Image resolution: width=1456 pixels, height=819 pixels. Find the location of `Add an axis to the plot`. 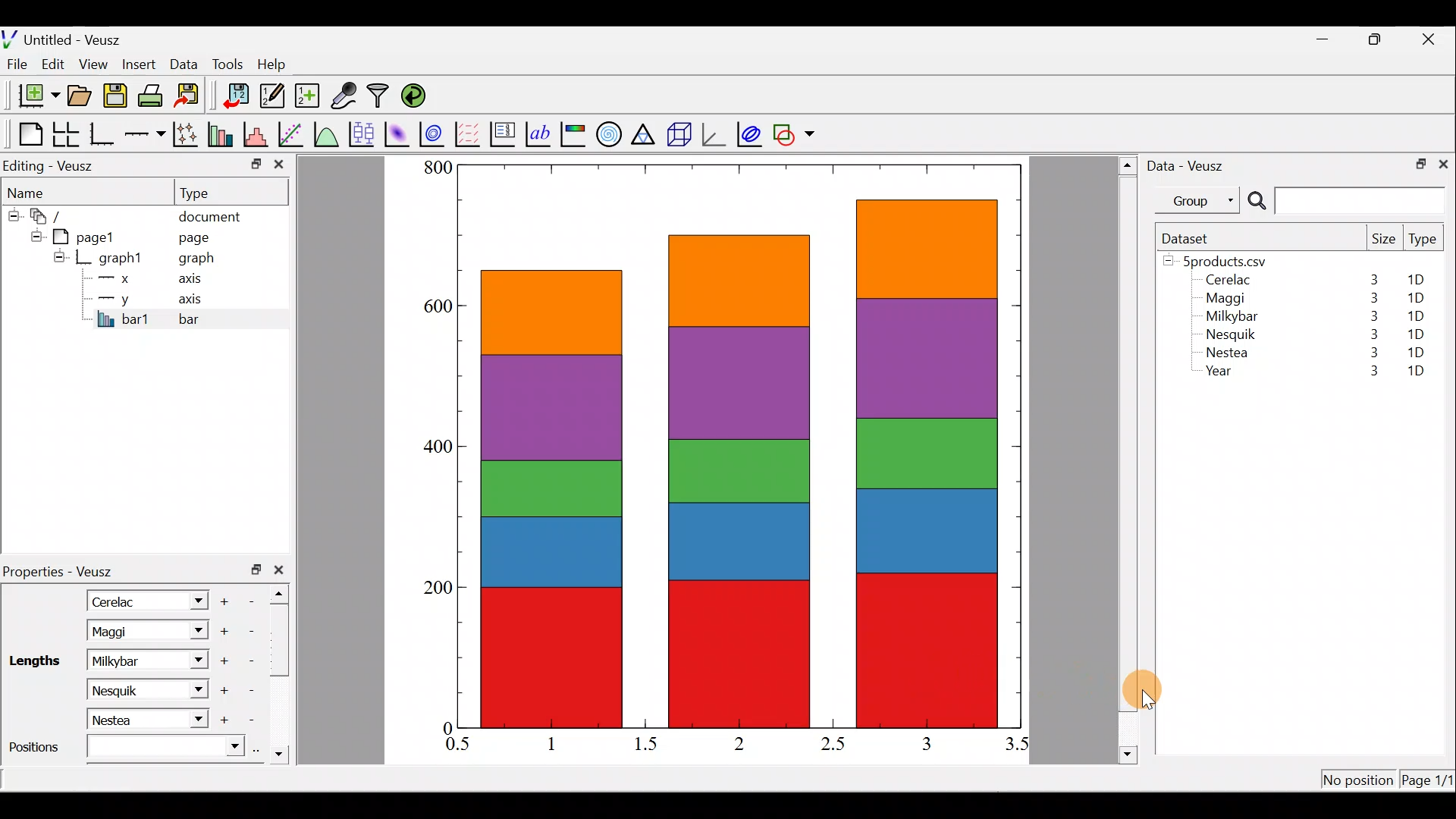

Add an axis to the plot is located at coordinates (148, 134).